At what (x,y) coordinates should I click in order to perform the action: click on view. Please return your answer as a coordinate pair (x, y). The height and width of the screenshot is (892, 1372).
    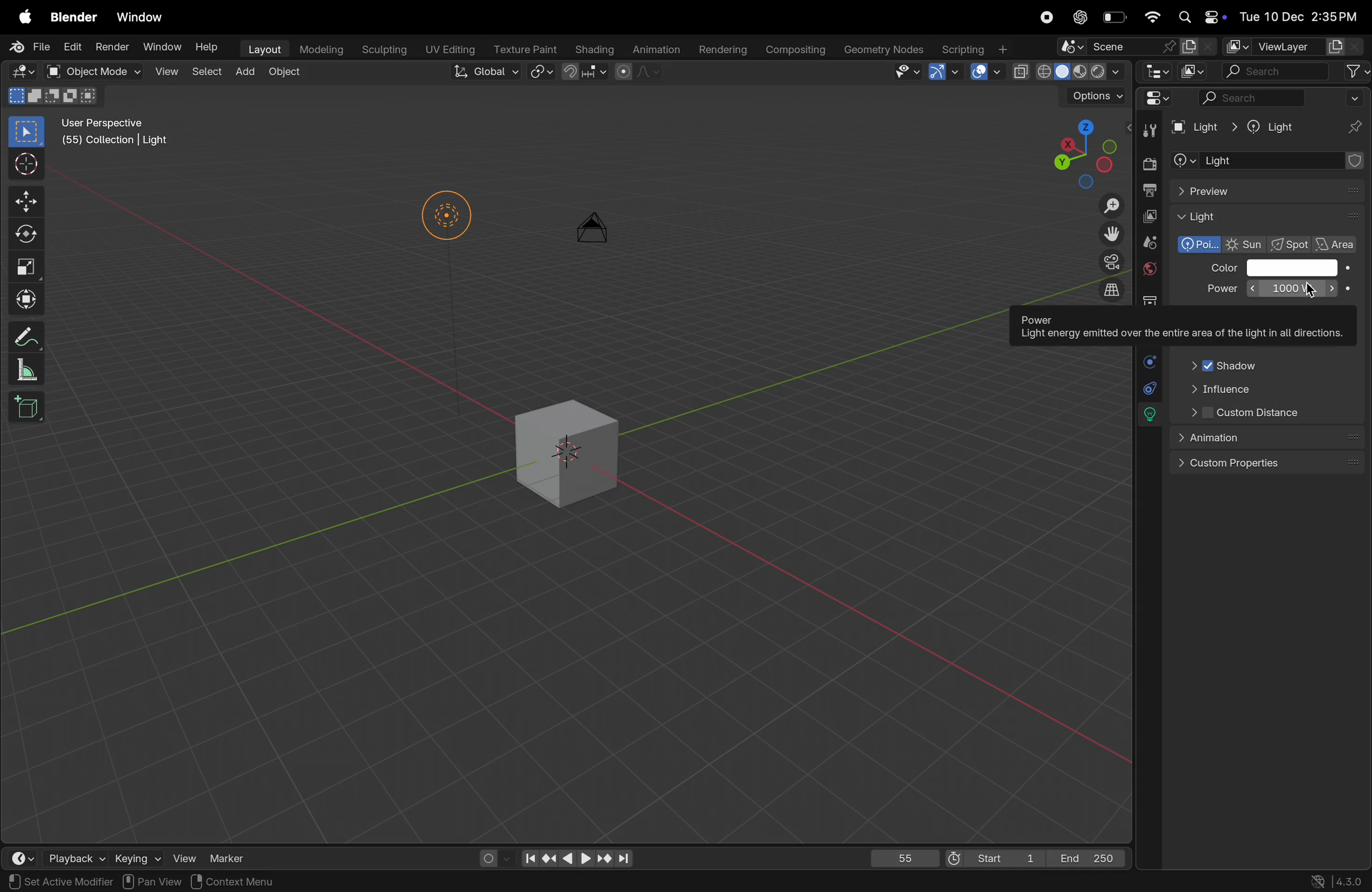
    Looking at the image, I should click on (186, 857).